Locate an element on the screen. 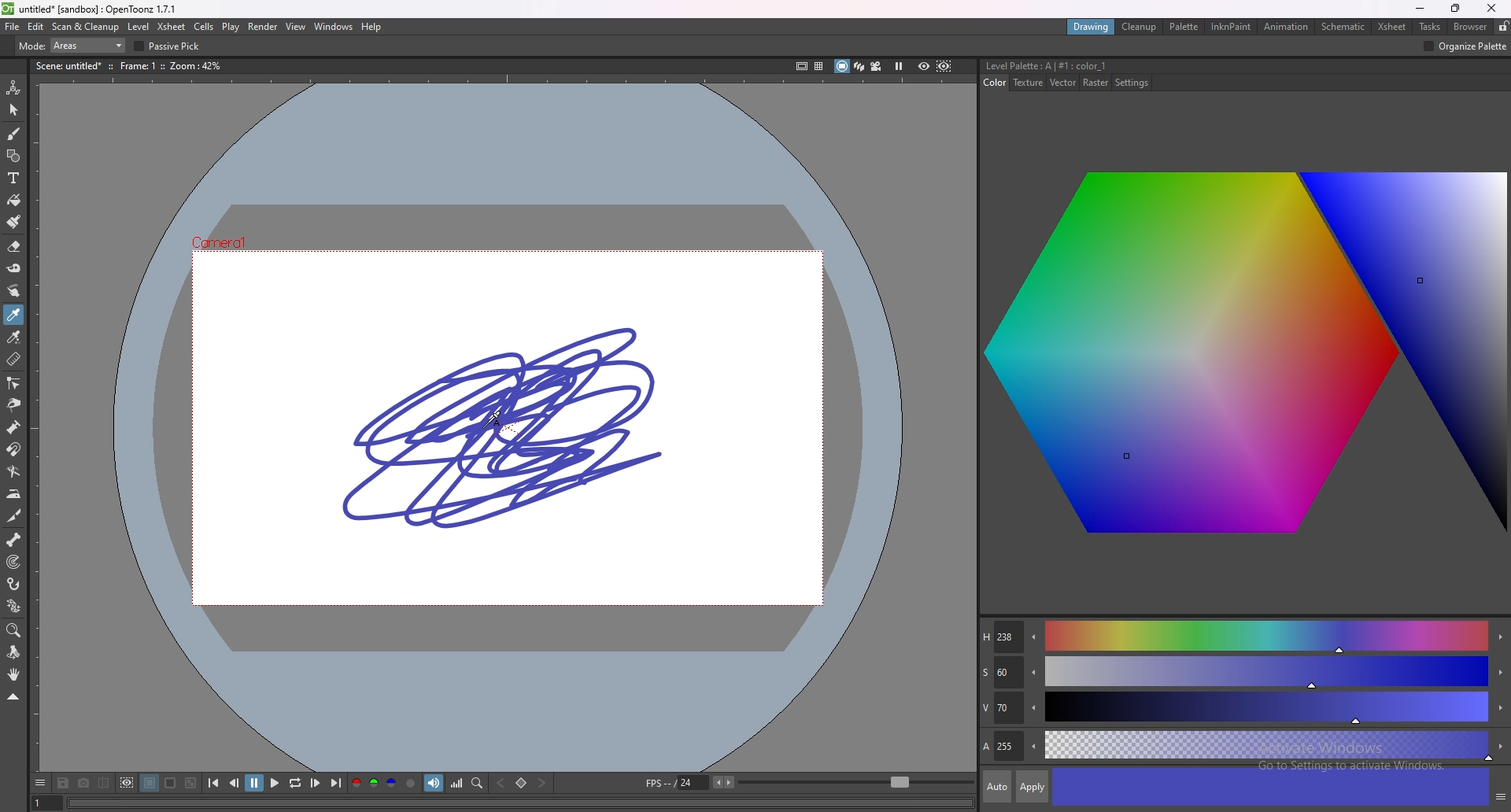 The height and width of the screenshot is (812, 1511). scan and cleanup is located at coordinates (87, 26).